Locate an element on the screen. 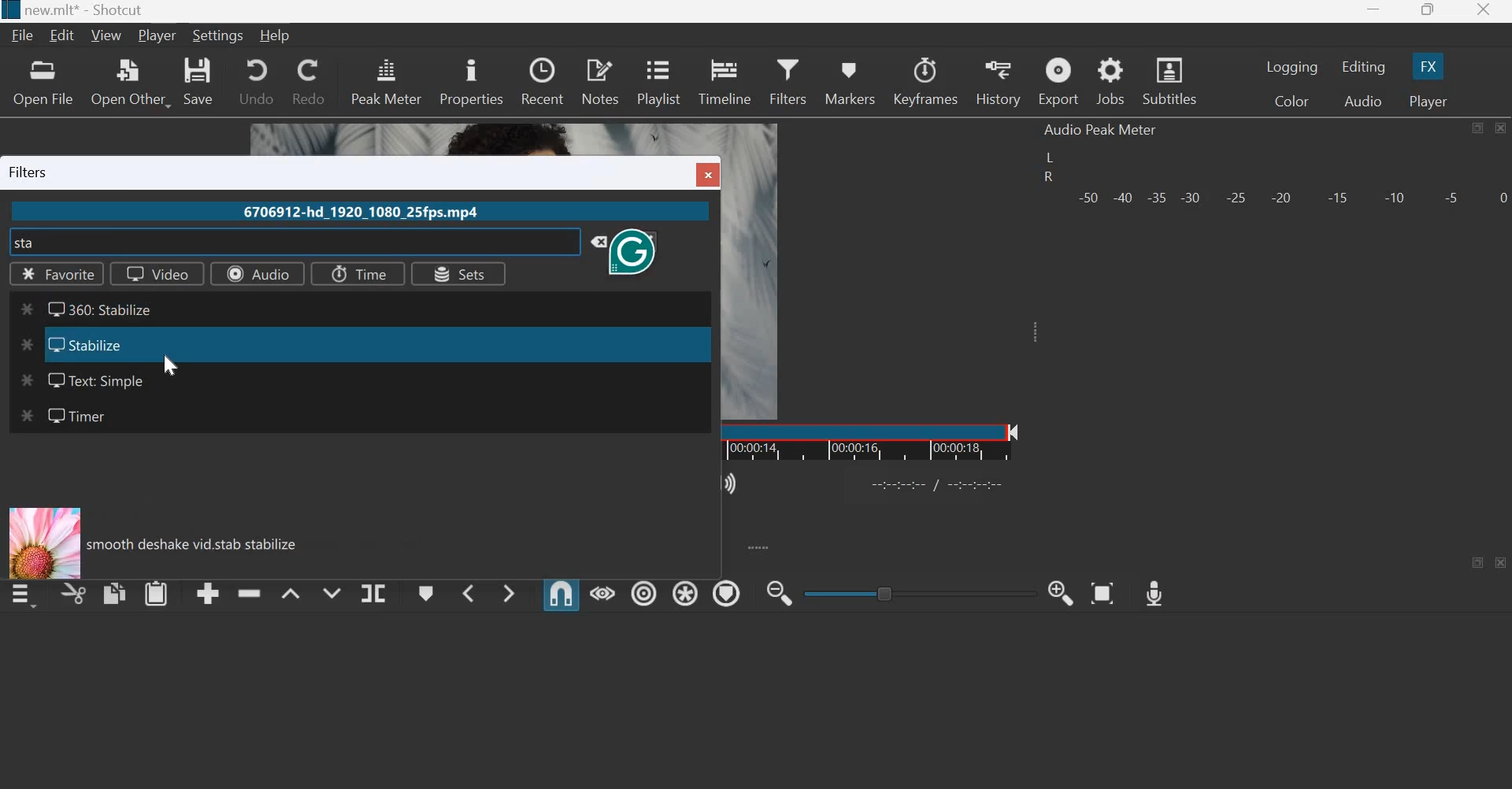  paste is located at coordinates (156, 593).